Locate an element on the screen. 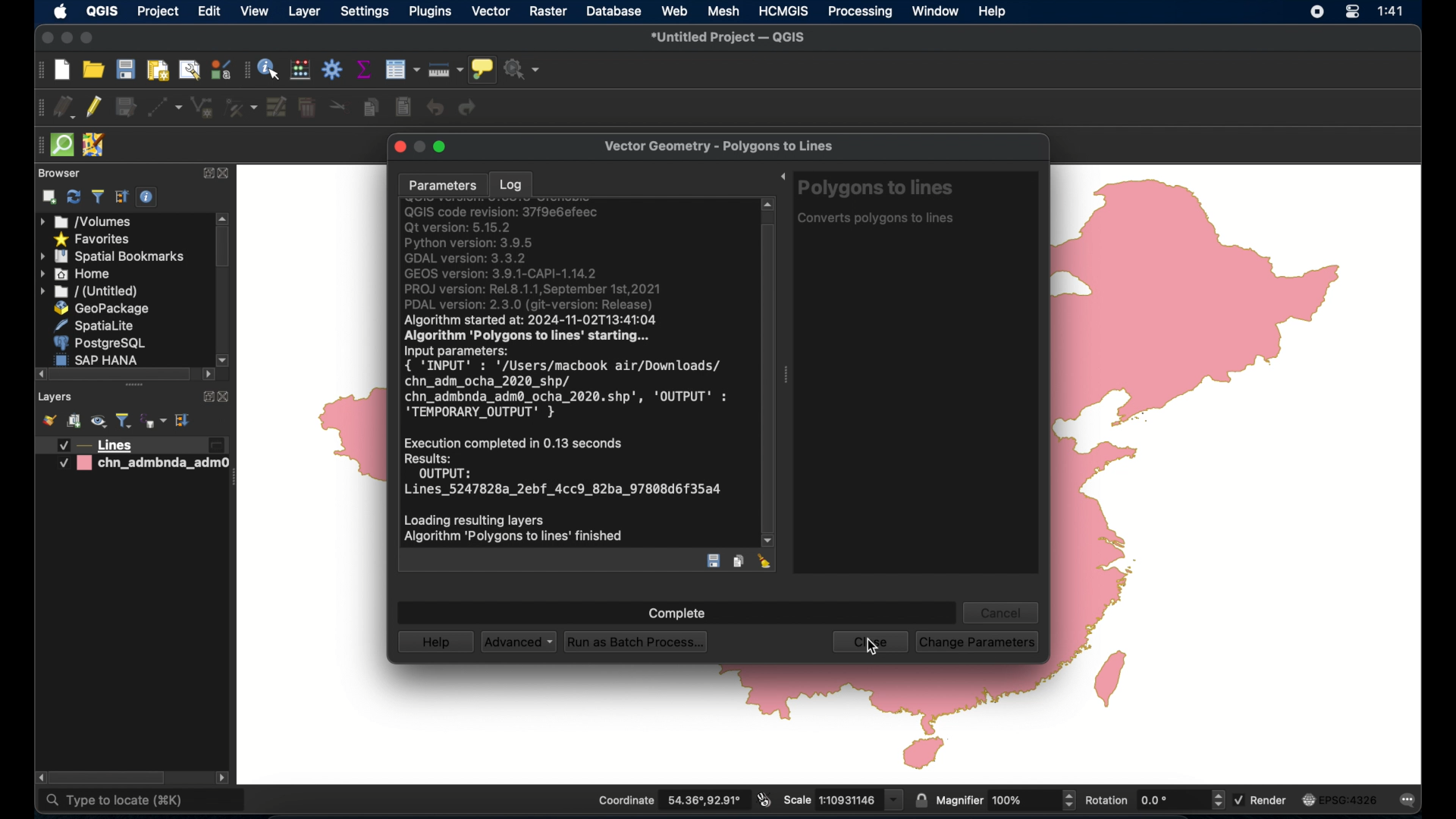 This screenshot has width=1456, height=819. apple icon is located at coordinates (61, 12).